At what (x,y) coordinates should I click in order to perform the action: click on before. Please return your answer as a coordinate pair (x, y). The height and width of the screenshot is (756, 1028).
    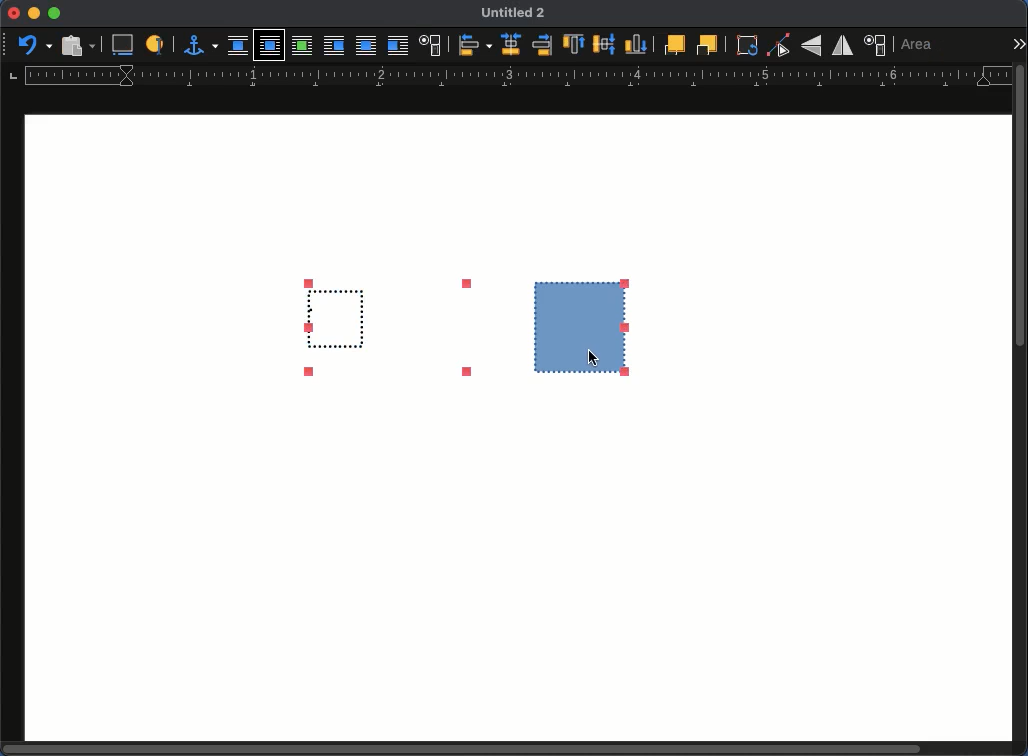
    Looking at the image, I should click on (334, 46).